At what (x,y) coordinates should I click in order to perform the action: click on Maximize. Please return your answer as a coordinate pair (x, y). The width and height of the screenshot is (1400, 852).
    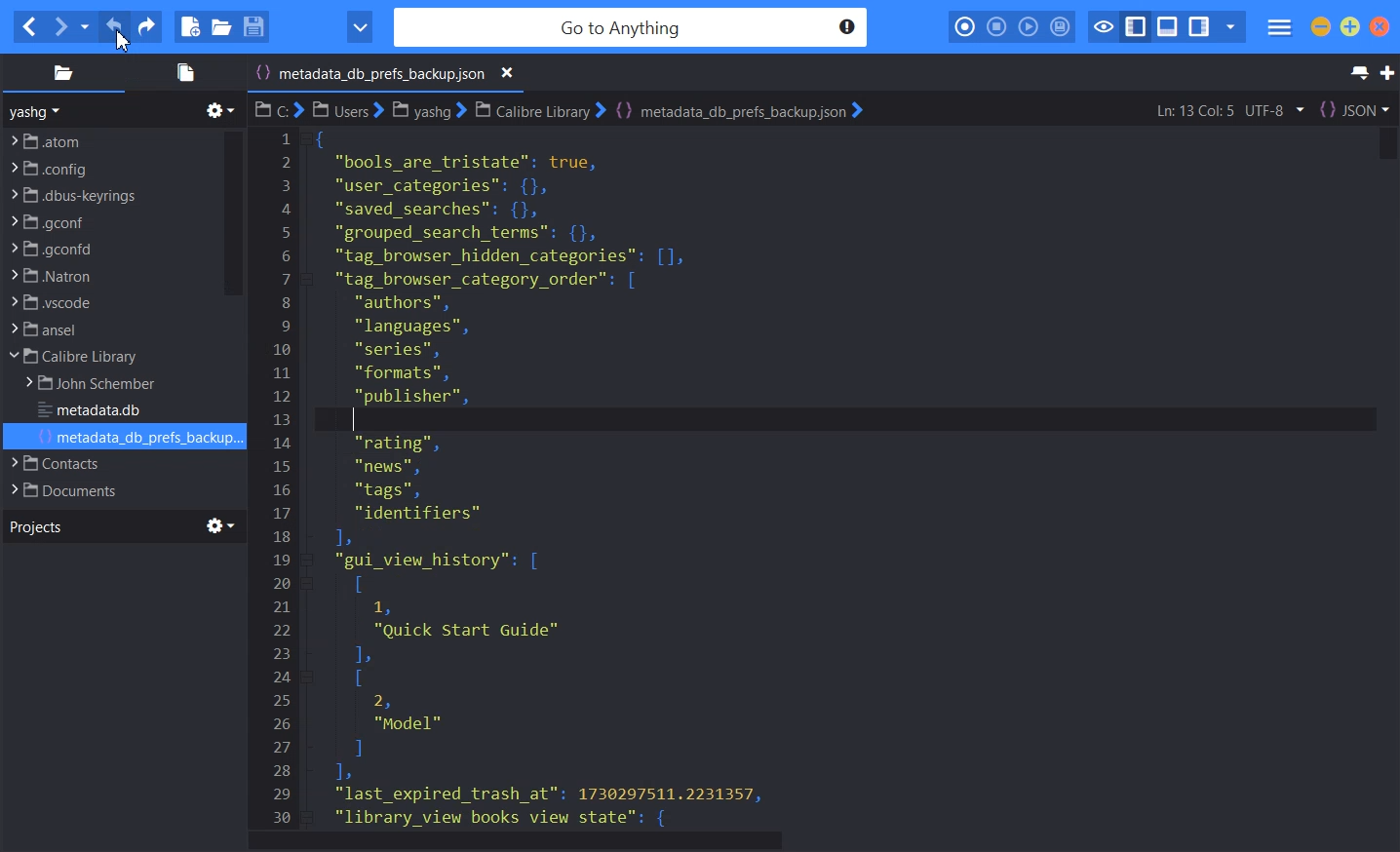
    Looking at the image, I should click on (1350, 26).